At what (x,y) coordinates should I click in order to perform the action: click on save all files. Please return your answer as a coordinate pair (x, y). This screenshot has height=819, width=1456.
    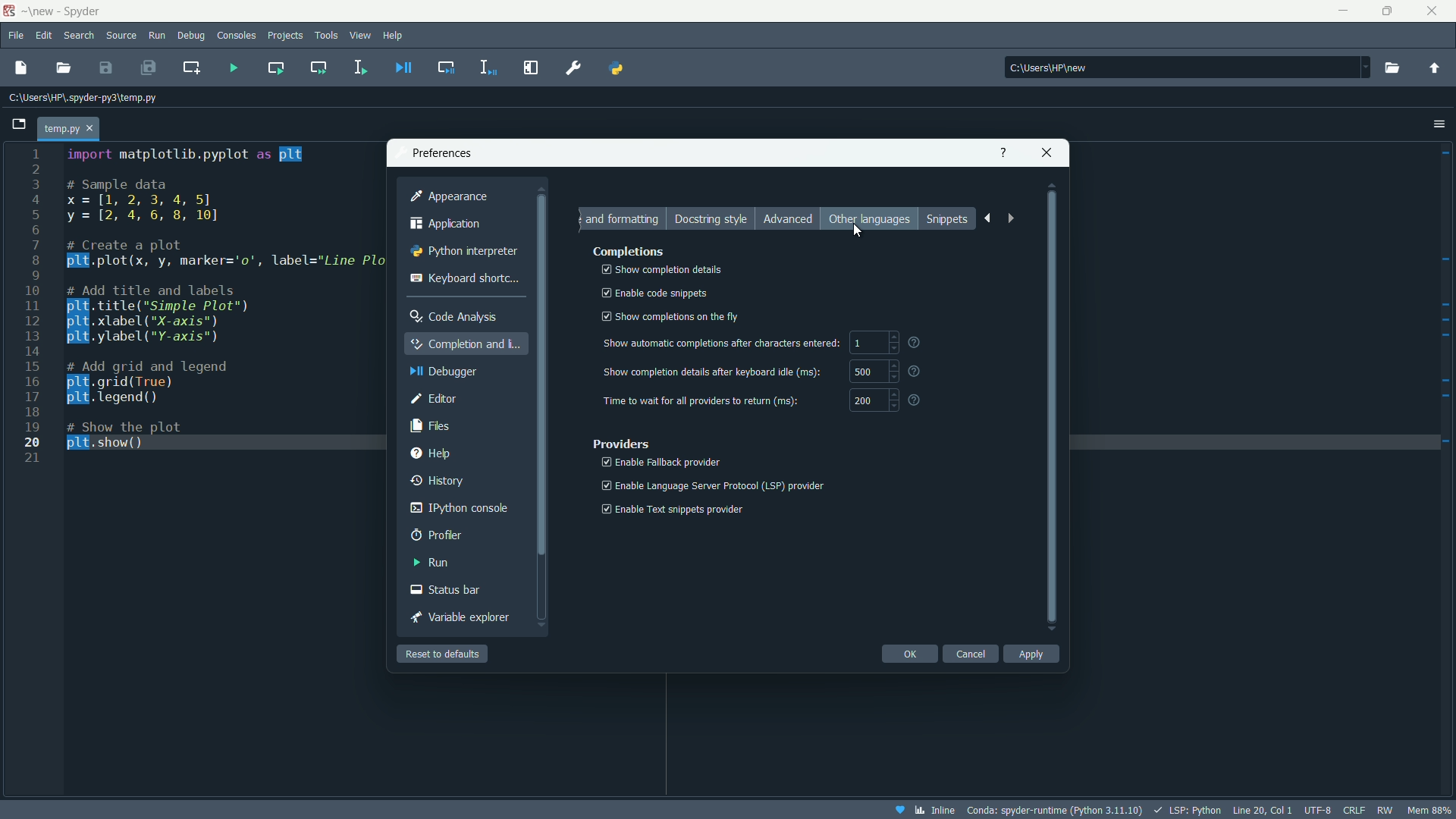
    Looking at the image, I should click on (147, 67).